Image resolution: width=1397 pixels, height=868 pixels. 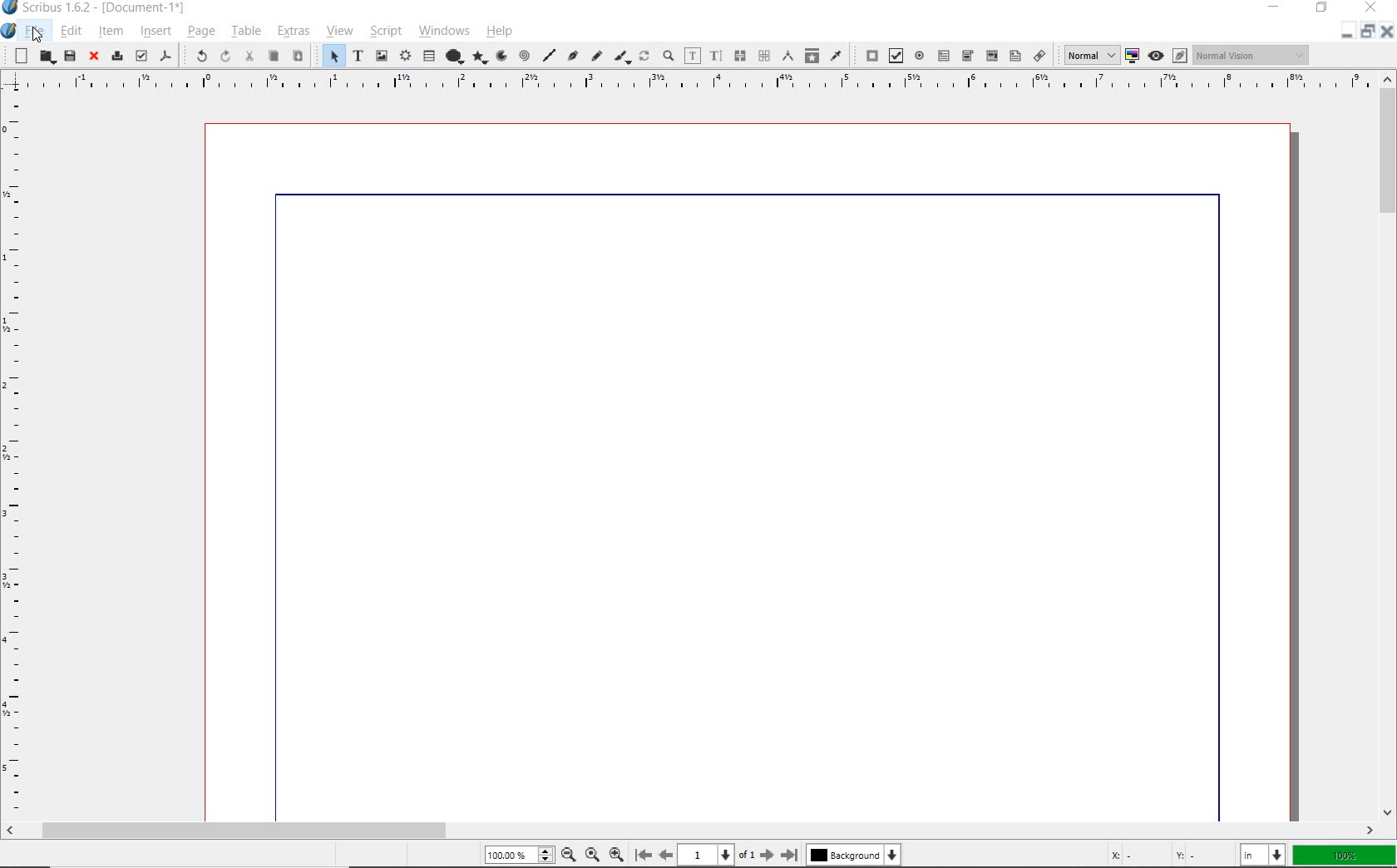 What do you see at coordinates (141, 57) in the screenshot?
I see `preflight verifier` at bounding box center [141, 57].